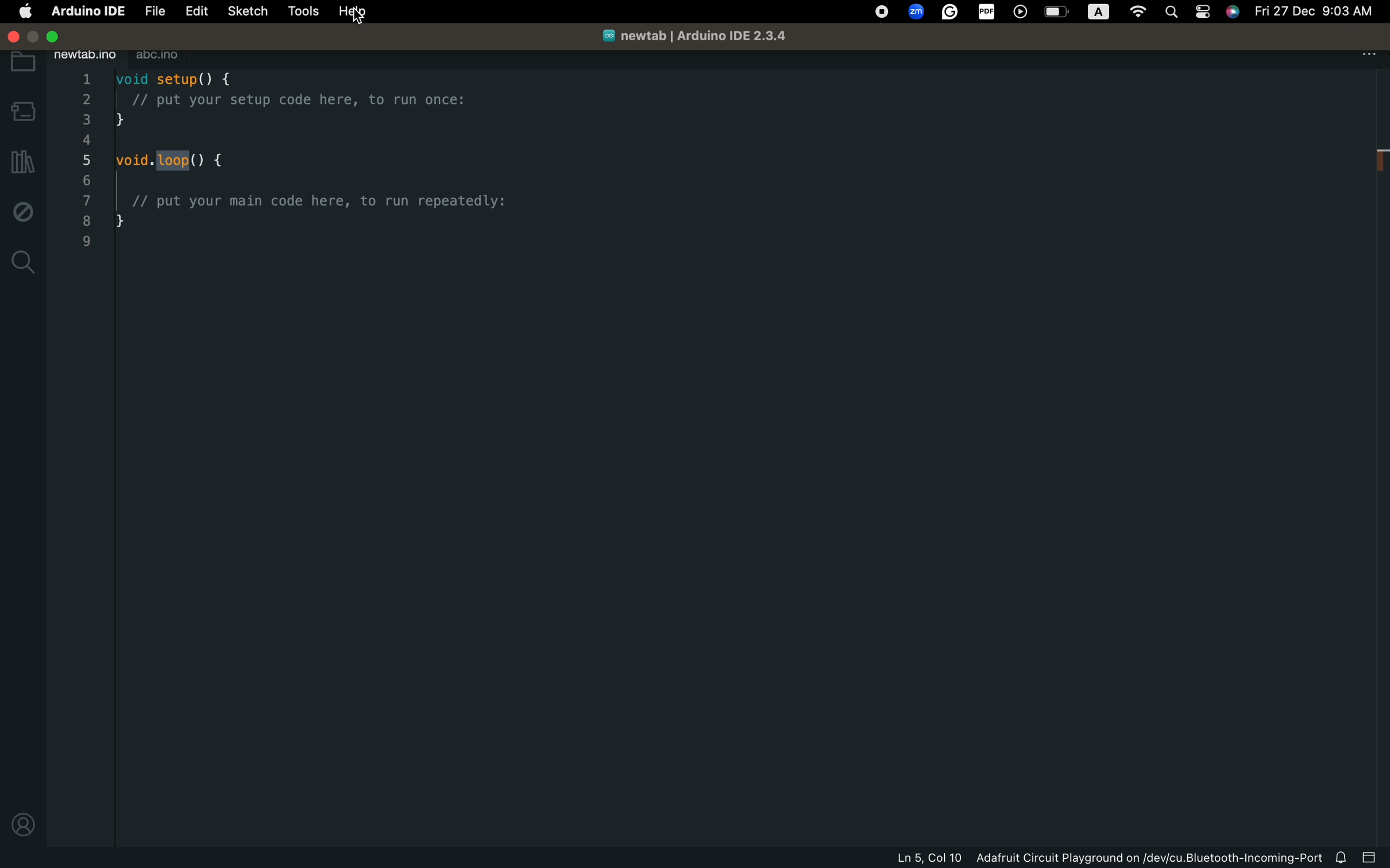  Describe the element at coordinates (356, 14) in the screenshot. I see `cursor` at that location.